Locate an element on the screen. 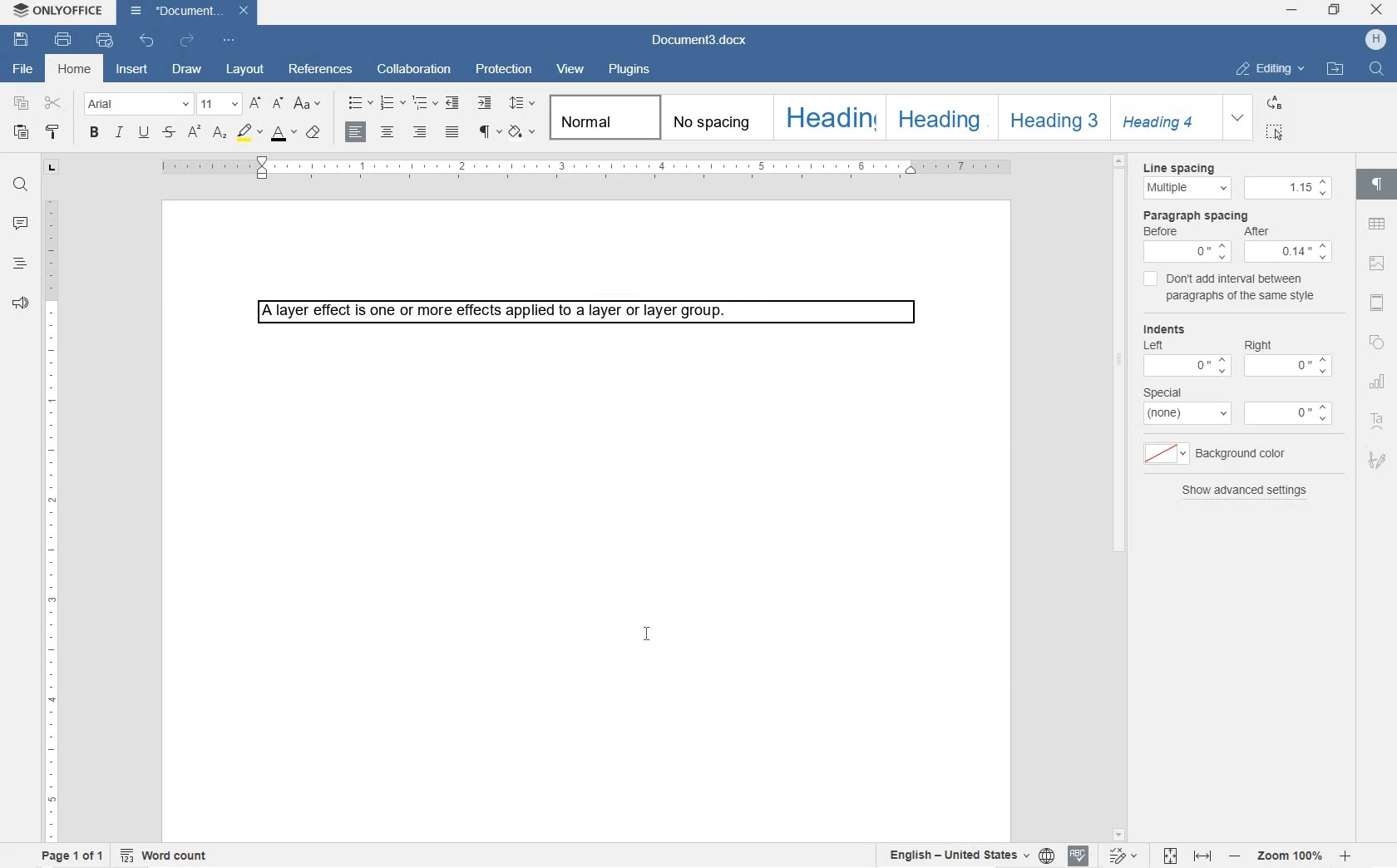  CLEAR STYLE is located at coordinates (313, 133).